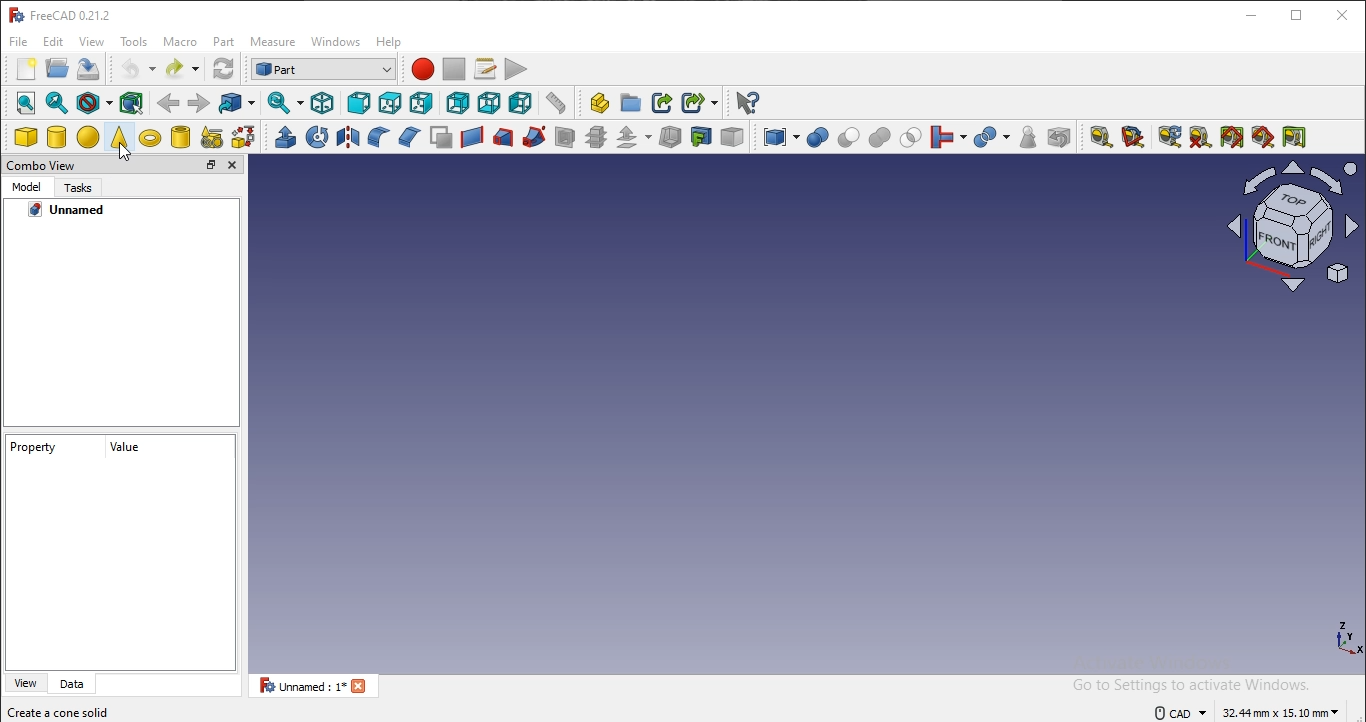 Image resolution: width=1366 pixels, height=722 pixels. Describe the element at coordinates (847, 136) in the screenshot. I see `cut` at that location.